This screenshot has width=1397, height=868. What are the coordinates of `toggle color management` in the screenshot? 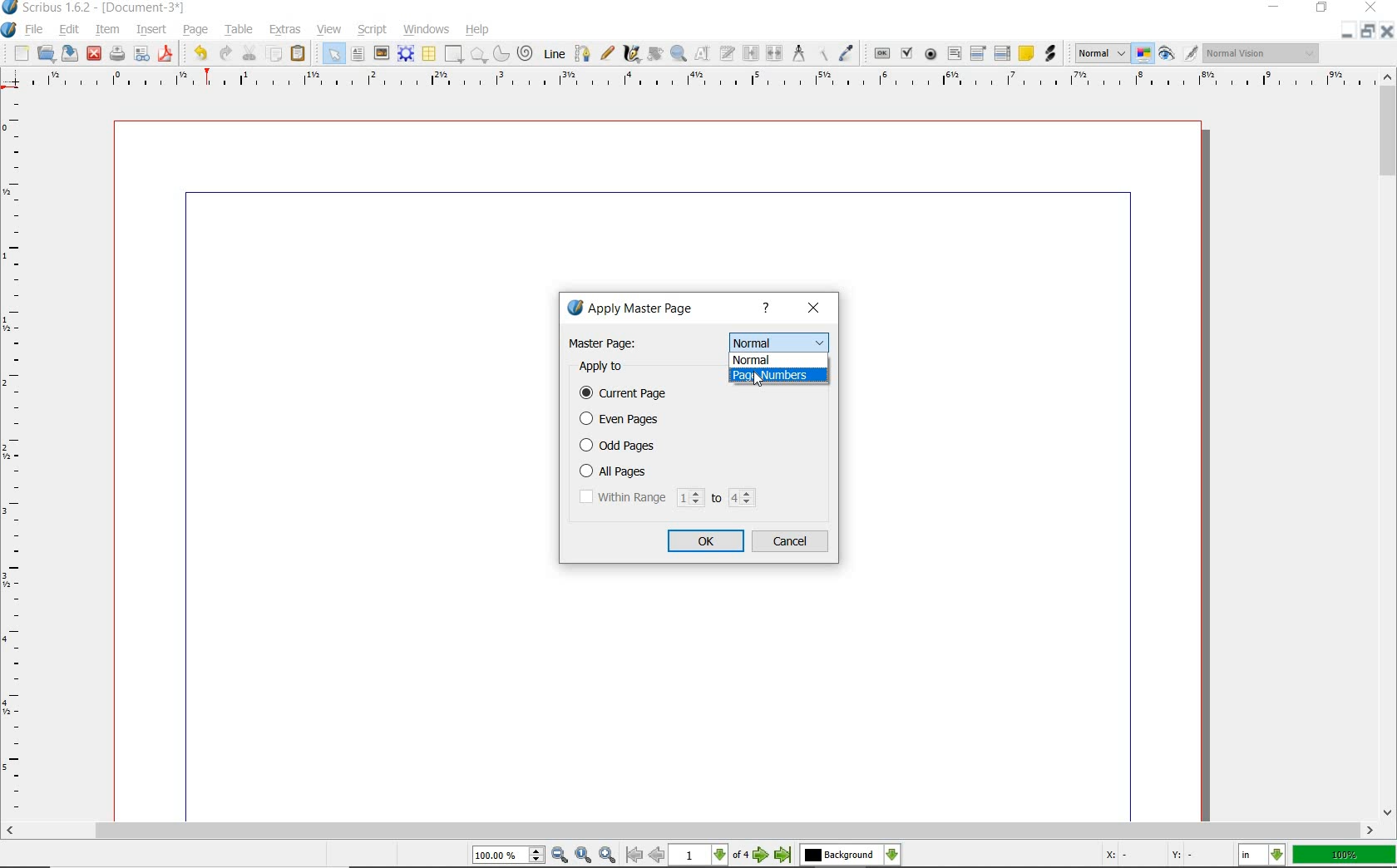 It's located at (1143, 54).